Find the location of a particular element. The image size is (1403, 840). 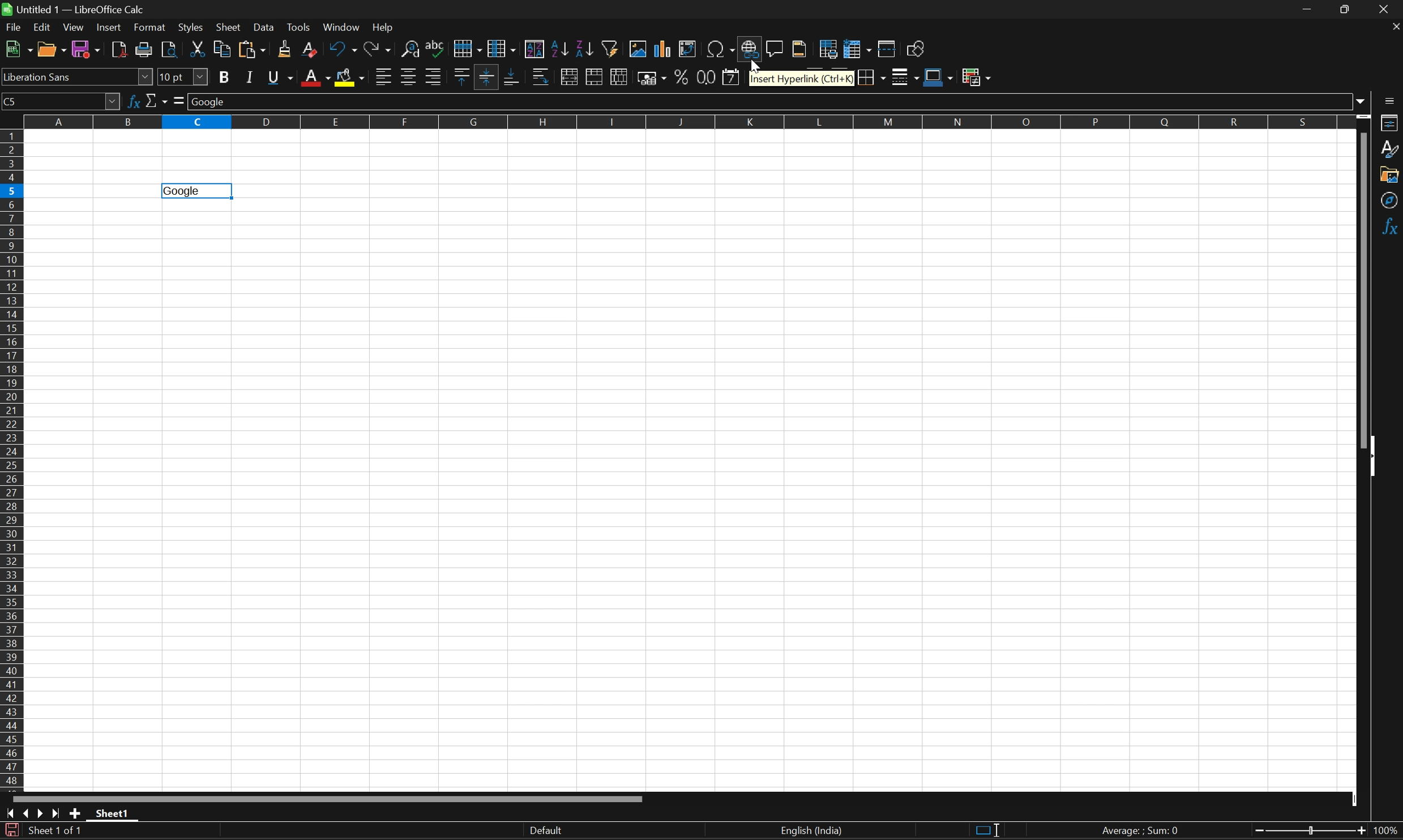

Toggle print preview is located at coordinates (170, 50).